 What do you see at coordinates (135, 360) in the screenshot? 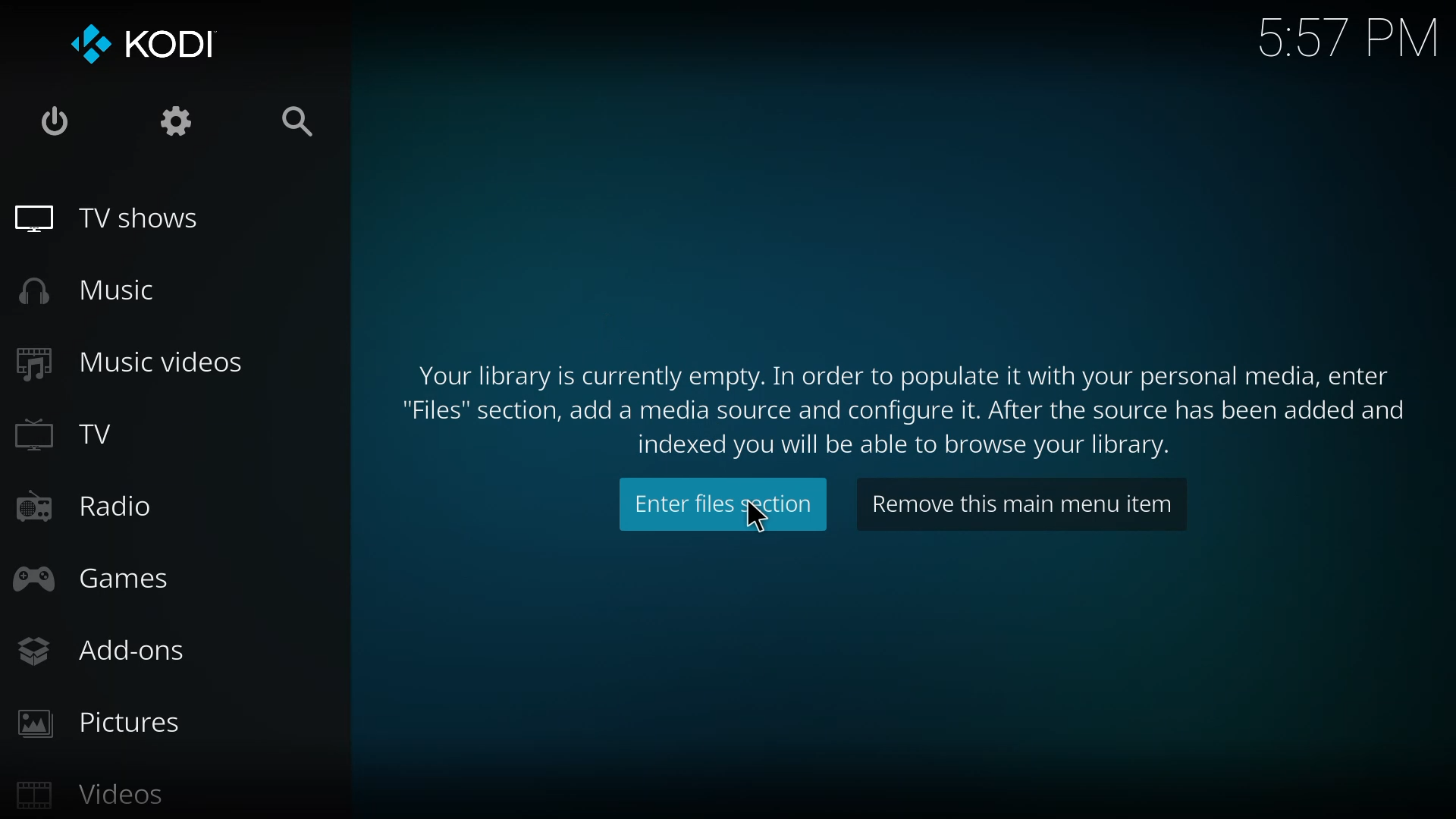
I see `music videos` at bounding box center [135, 360].